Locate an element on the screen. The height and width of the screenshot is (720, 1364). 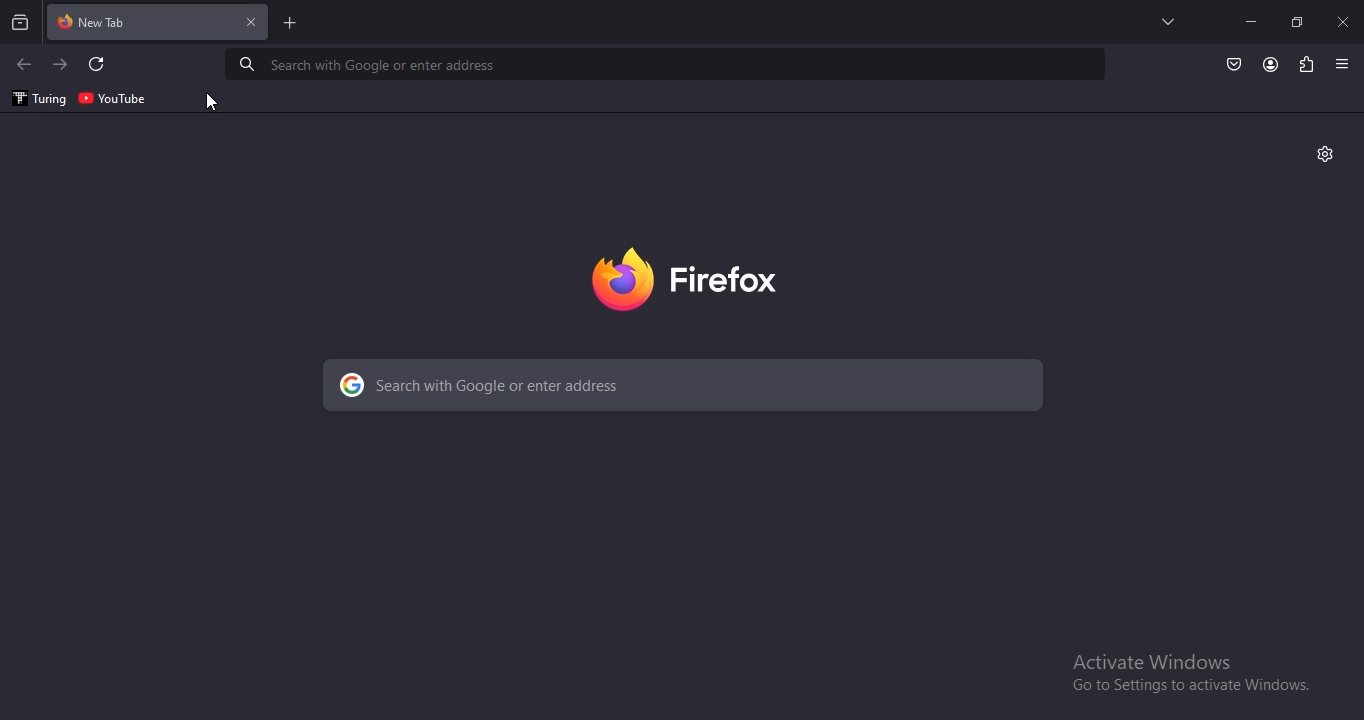
firebox is located at coordinates (681, 276).